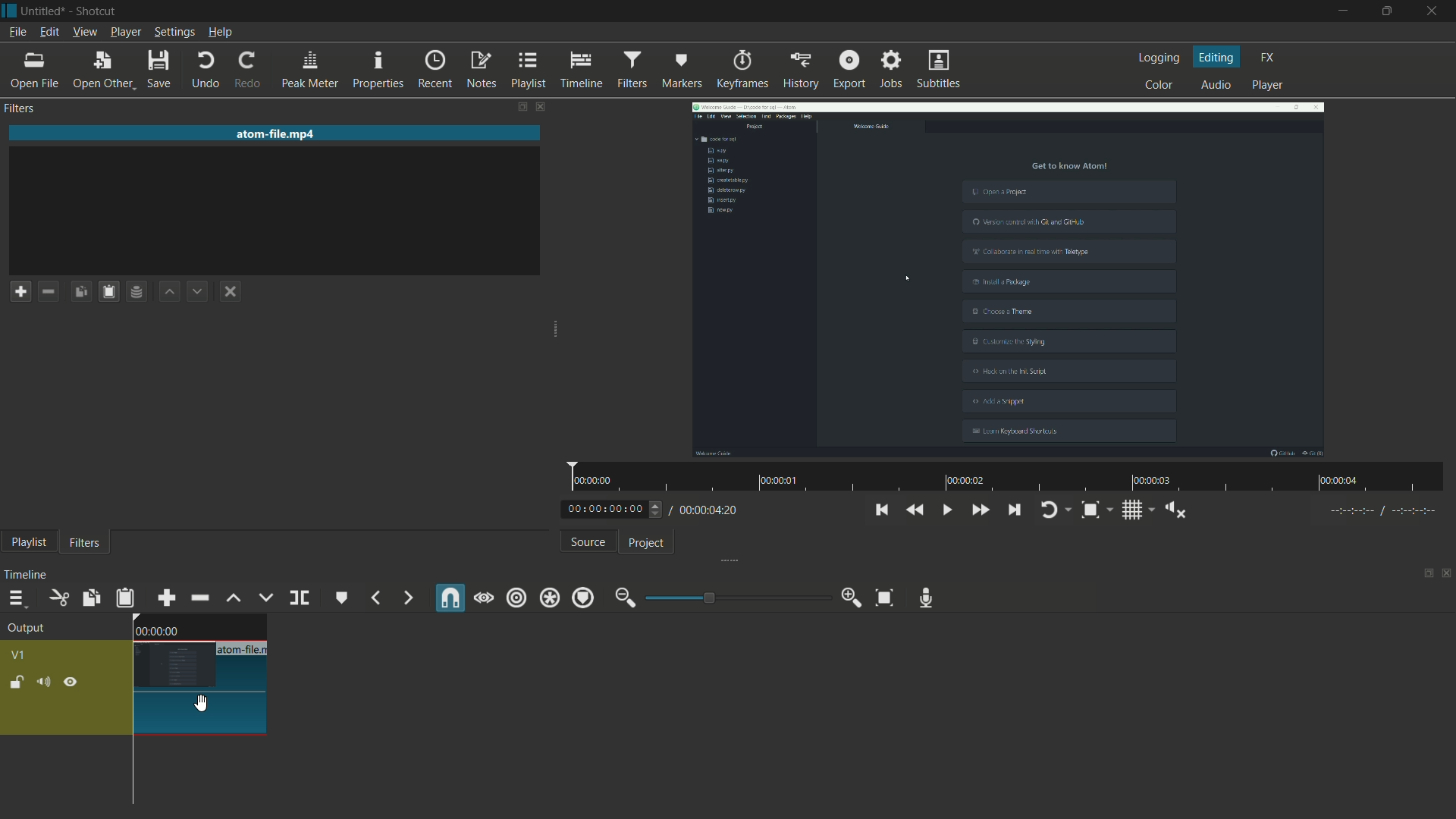  What do you see at coordinates (849, 71) in the screenshot?
I see `export` at bounding box center [849, 71].